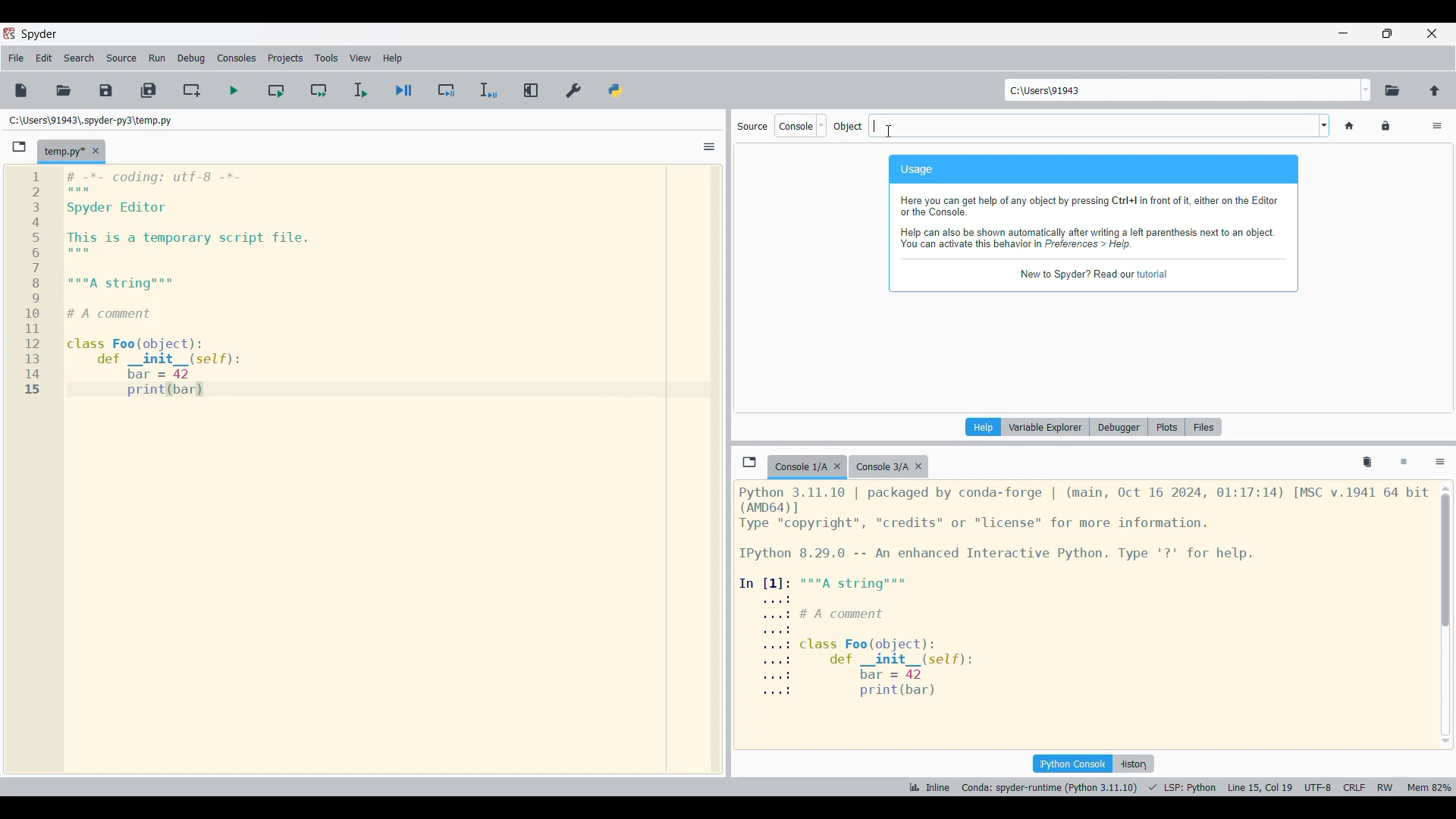 This screenshot has height=819, width=1456. What do you see at coordinates (122, 56) in the screenshot?
I see `Source menu` at bounding box center [122, 56].